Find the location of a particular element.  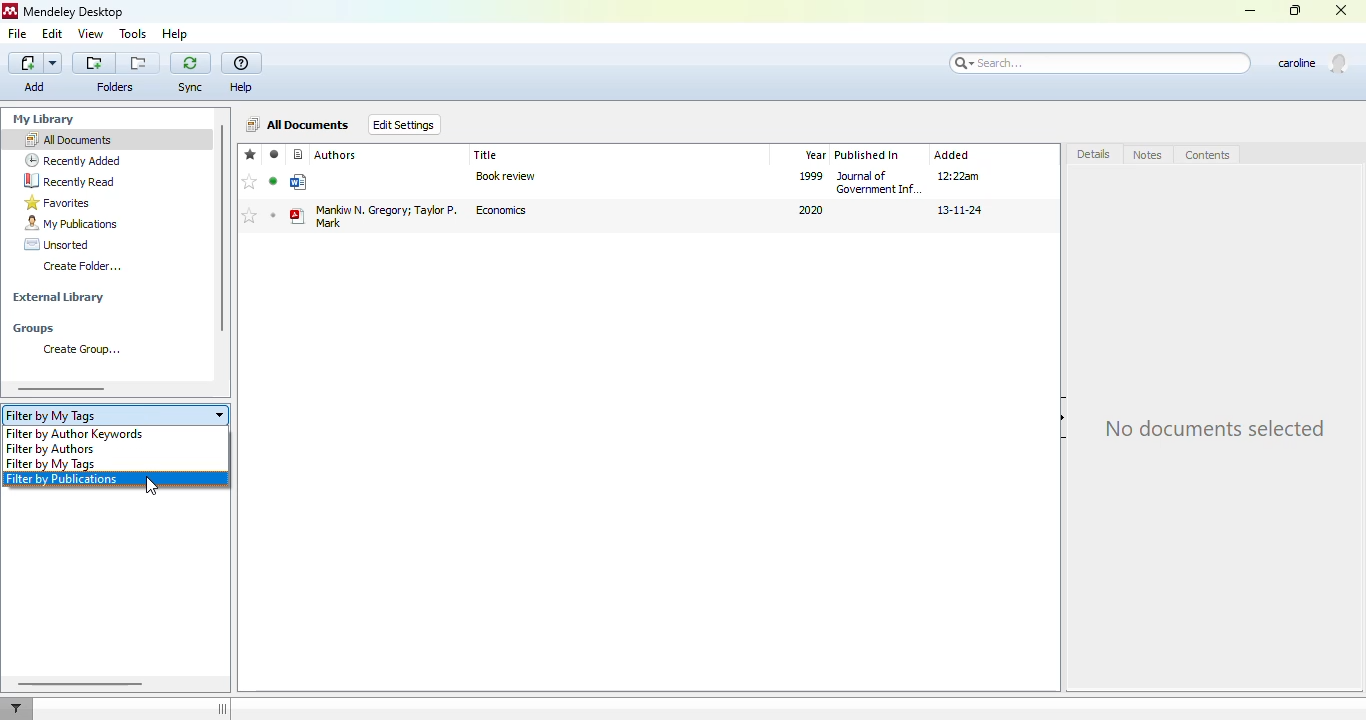

external library is located at coordinates (59, 297).